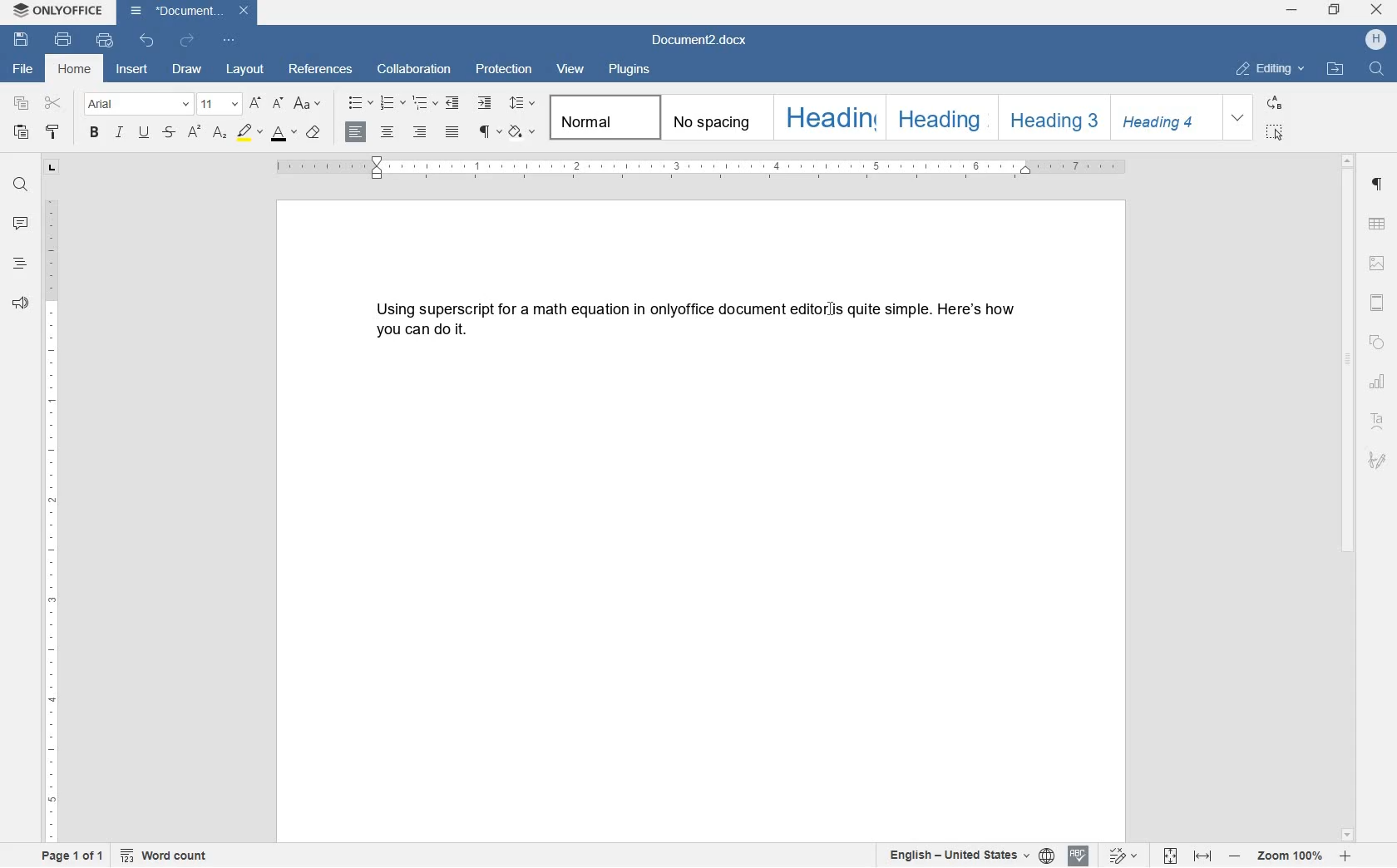 Image resolution: width=1397 pixels, height=868 pixels. Describe the element at coordinates (76, 68) in the screenshot. I see `home` at that location.